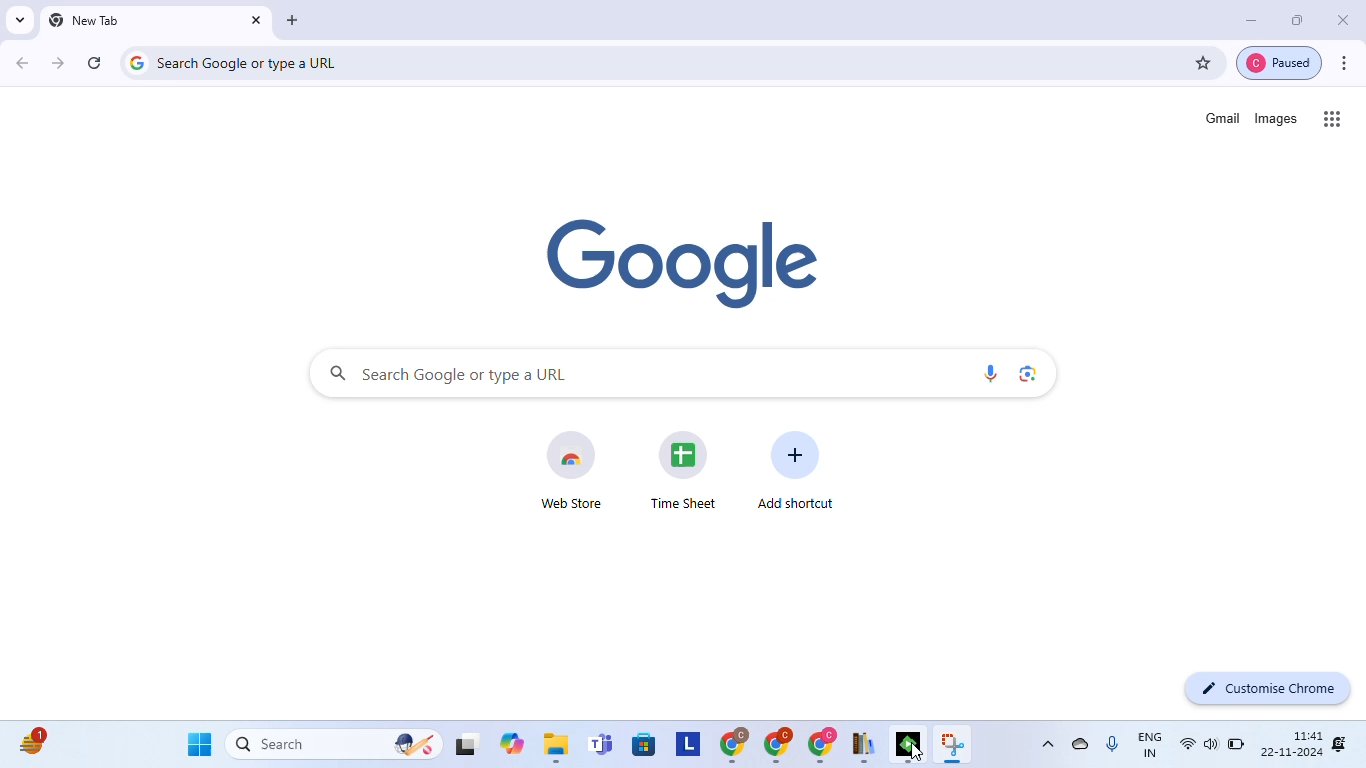 Image resolution: width=1366 pixels, height=768 pixels. What do you see at coordinates (1280, 64) in the screenshot?
I see `sync is paused` at bounding box center [1280, 64].